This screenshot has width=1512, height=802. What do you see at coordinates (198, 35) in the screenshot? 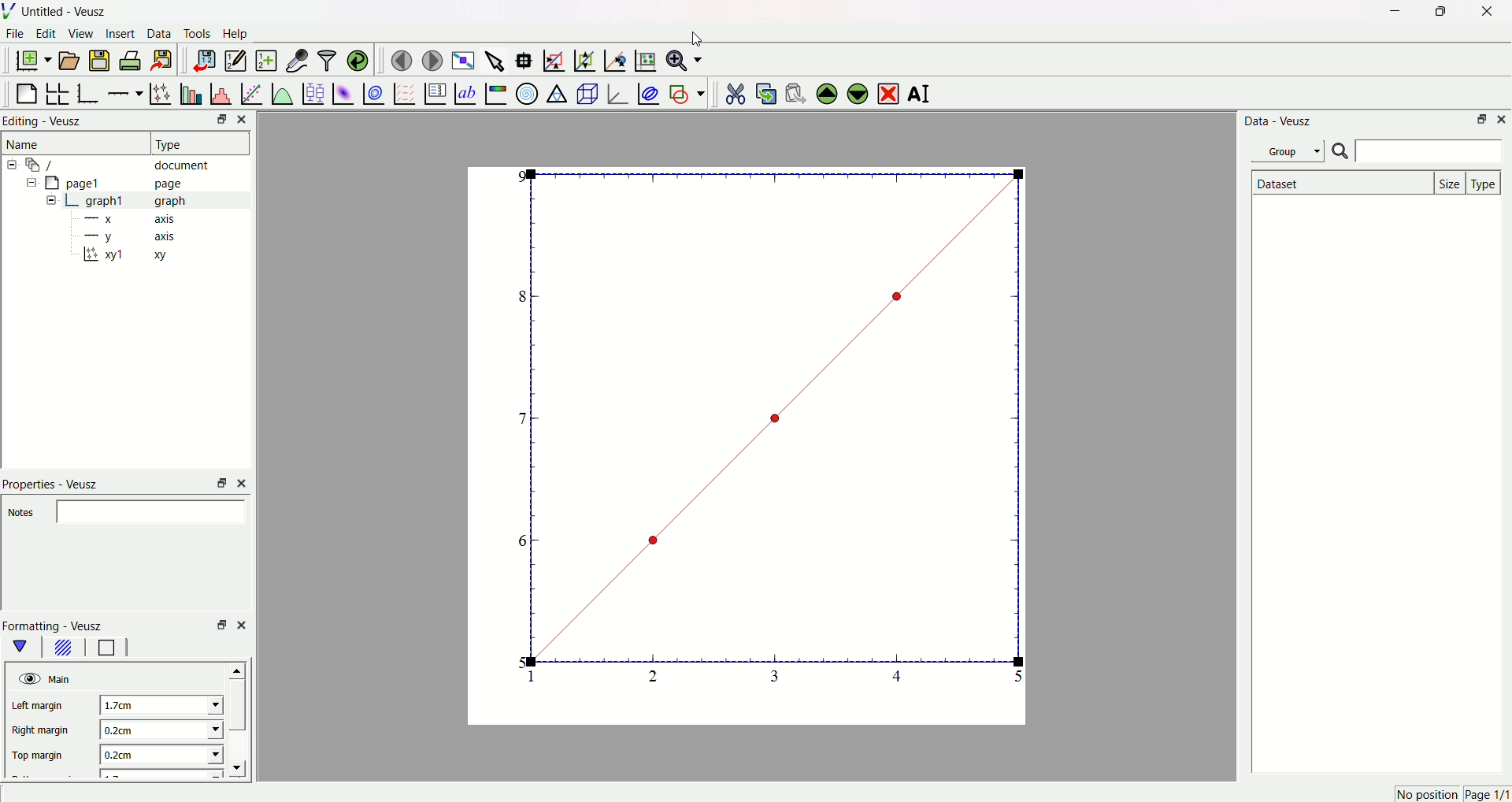
I see `Tools` at bounding box center [198, 35].